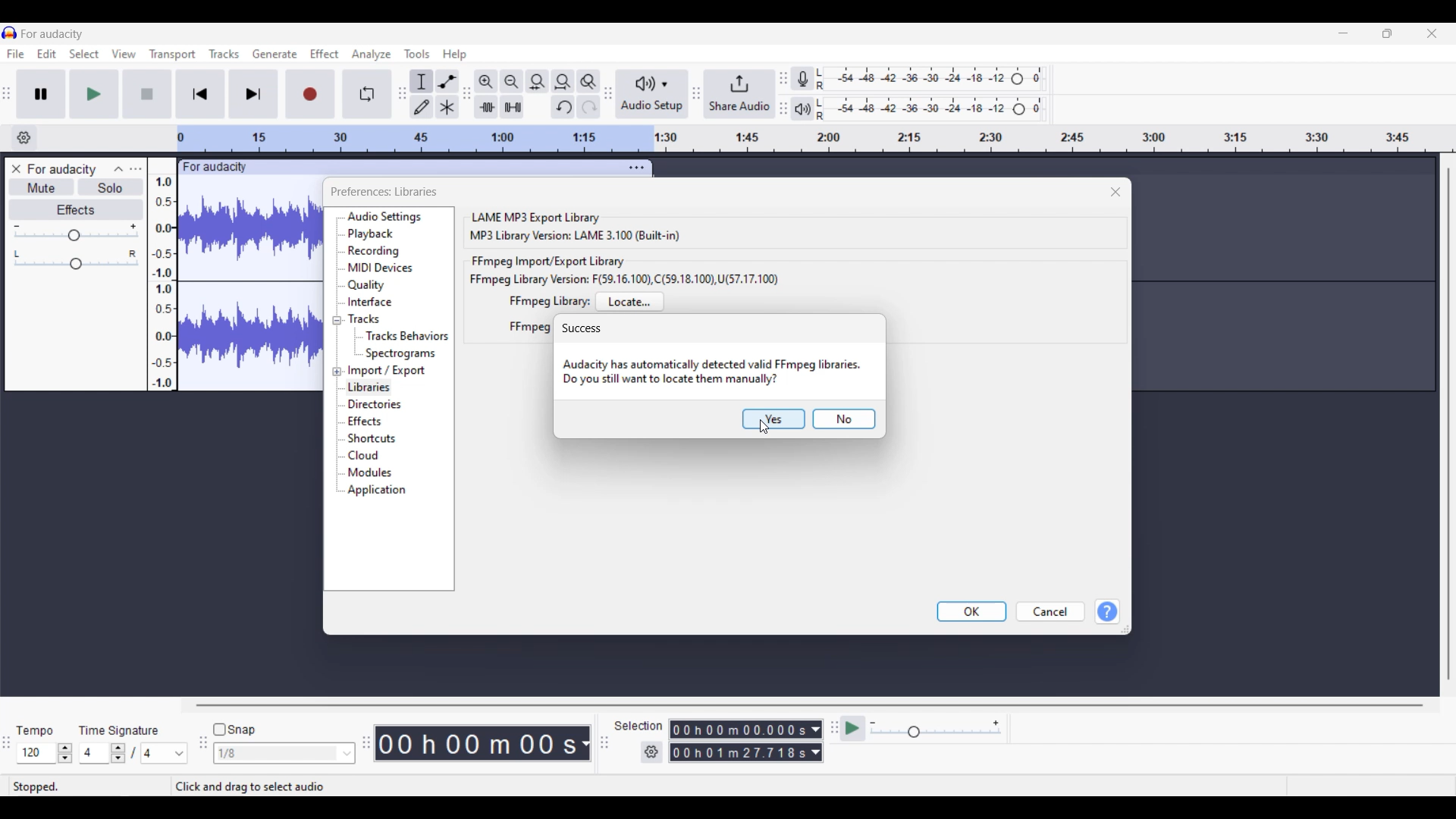 This screenshot has width=1456, height=819. What do you see at coordinates (538, 81) in the screenshot?
I see `Fit selection to width` at bounding box center [538, 81].